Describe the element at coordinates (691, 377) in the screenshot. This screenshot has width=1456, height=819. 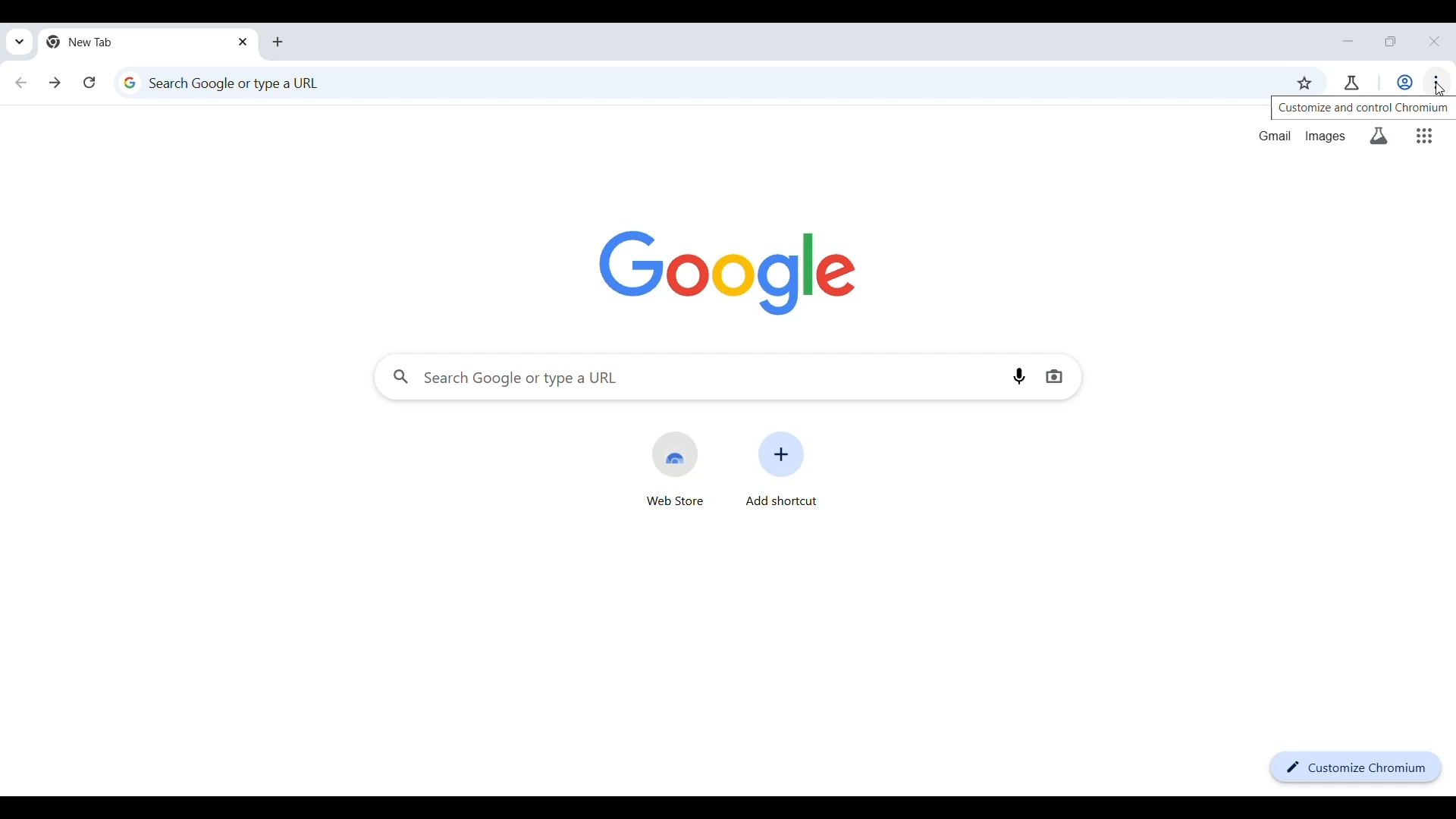
I see `Search Google or enter web link` at that location.